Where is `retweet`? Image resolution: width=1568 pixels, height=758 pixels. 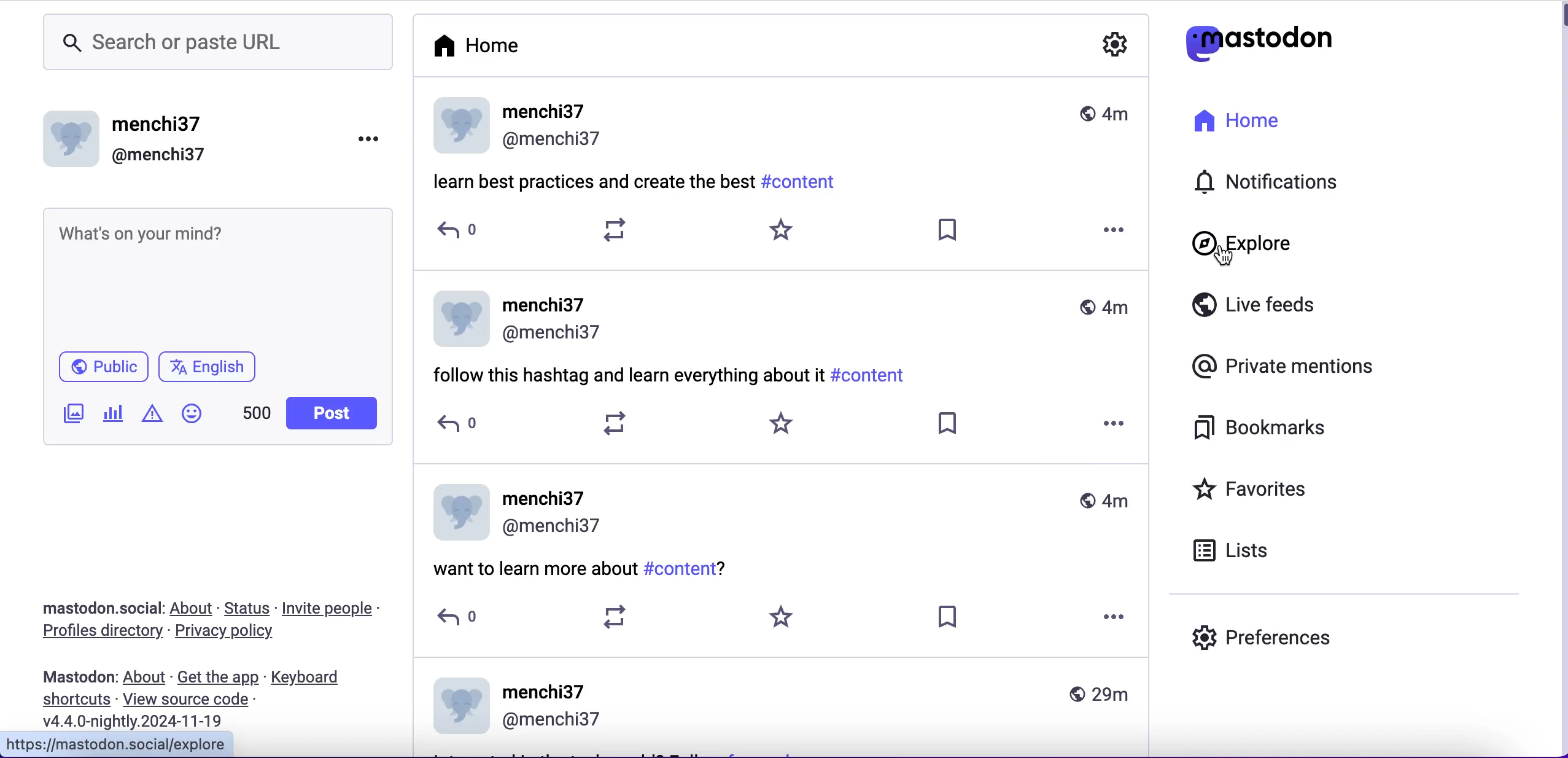 retweet is located at coordinates (616, 422).